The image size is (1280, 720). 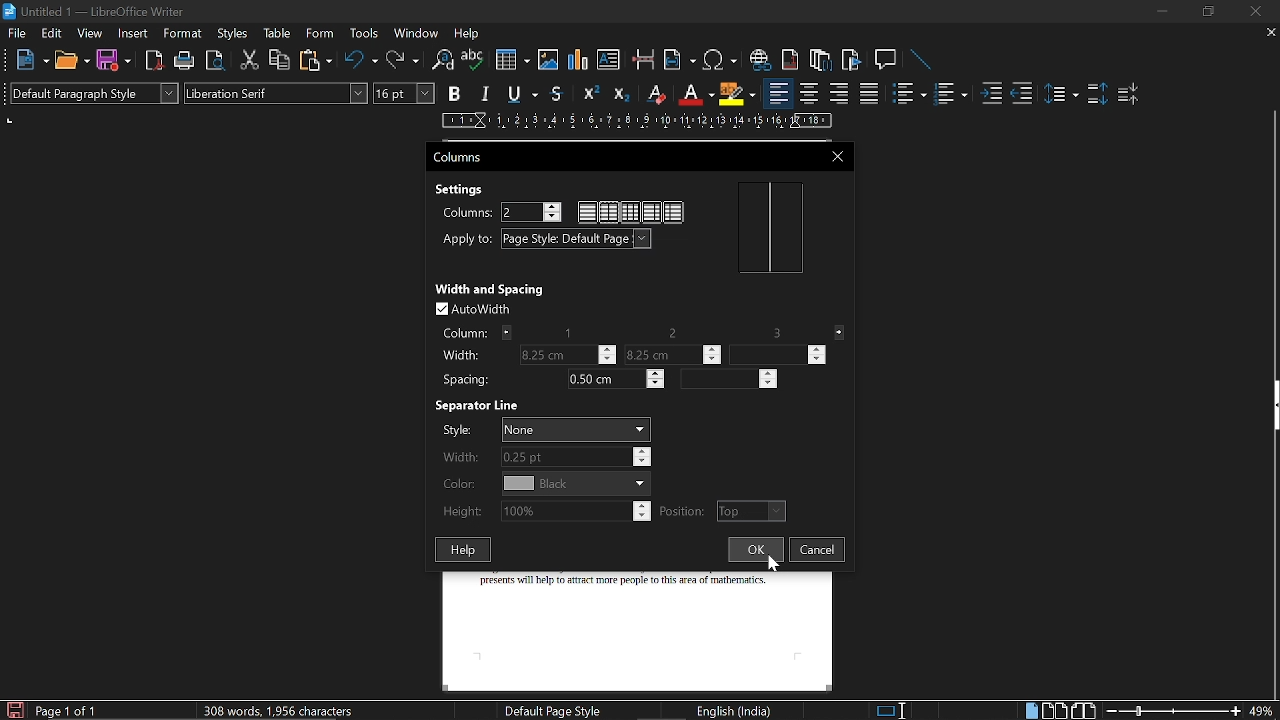 What do you see at coordinates (643, 332) in the screenshot?
I see `Column no` at bounding box center [643, 332].